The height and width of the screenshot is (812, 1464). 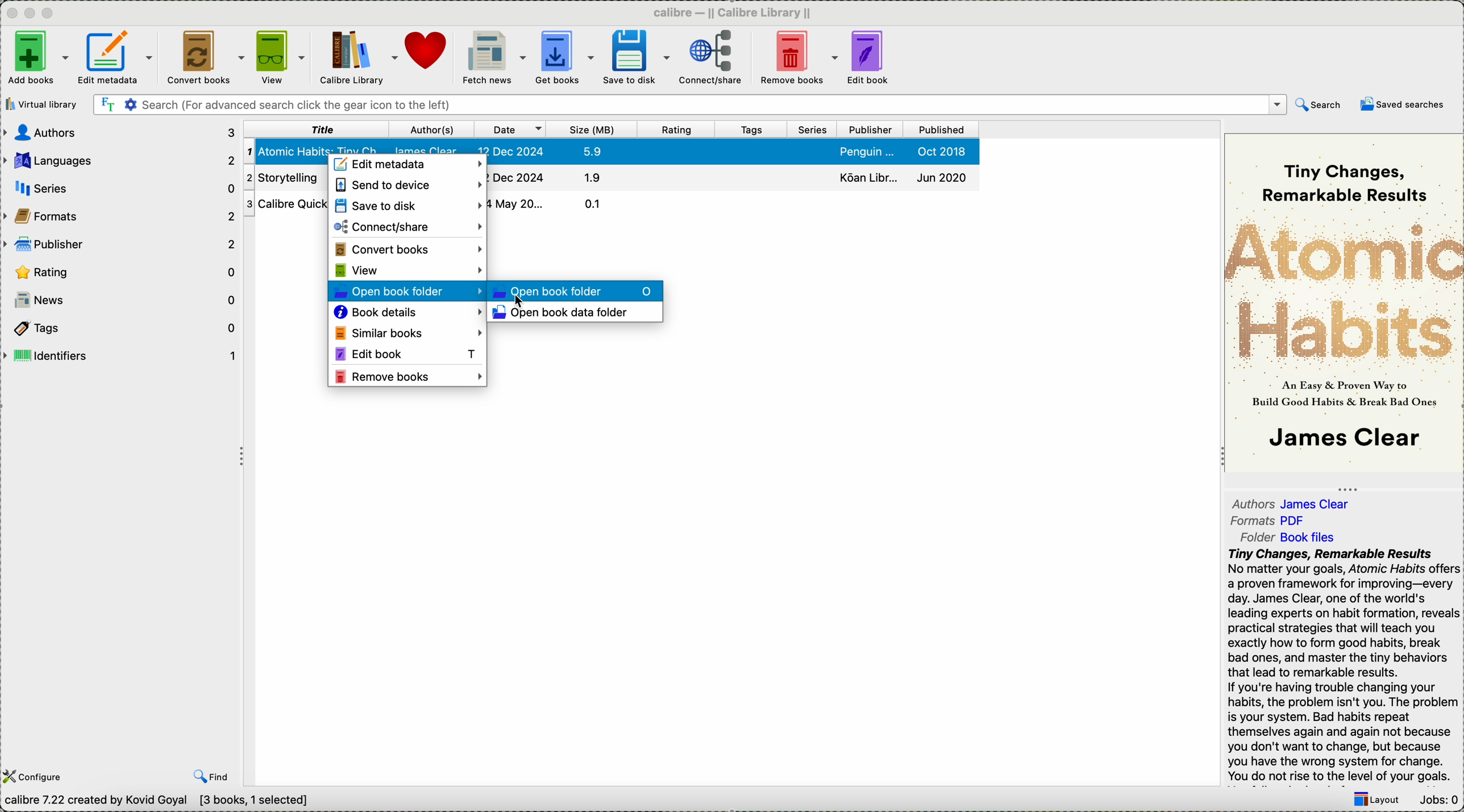 What do you see at coordinates (287, 152) in the screenshot?
I see `click on first book` at bounding box center [287, 152].